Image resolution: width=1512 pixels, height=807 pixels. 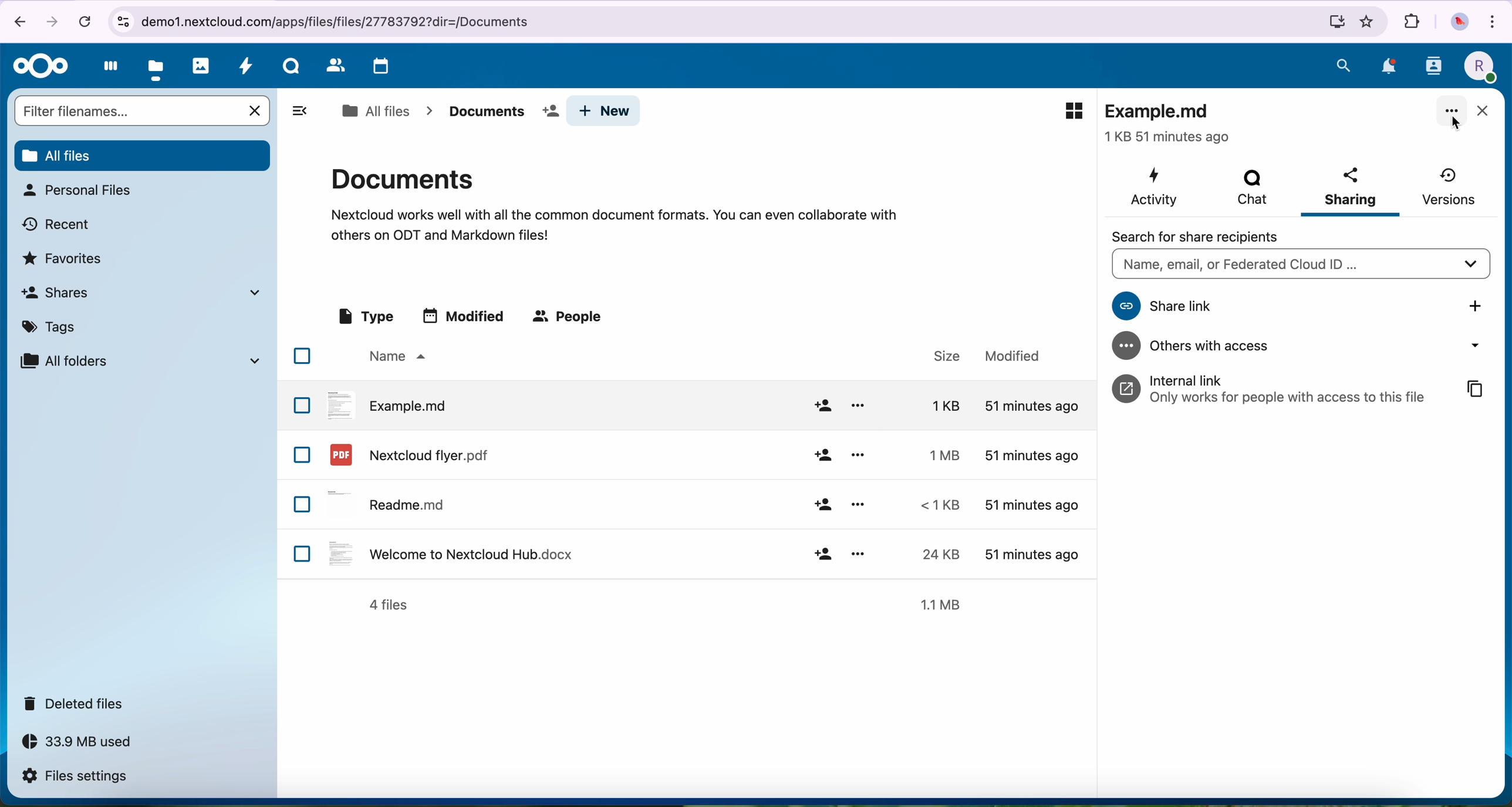 What do you see at coordinates (303, 505) in the screenshot?
I see `checkbox` at bounding box center [303, 505].